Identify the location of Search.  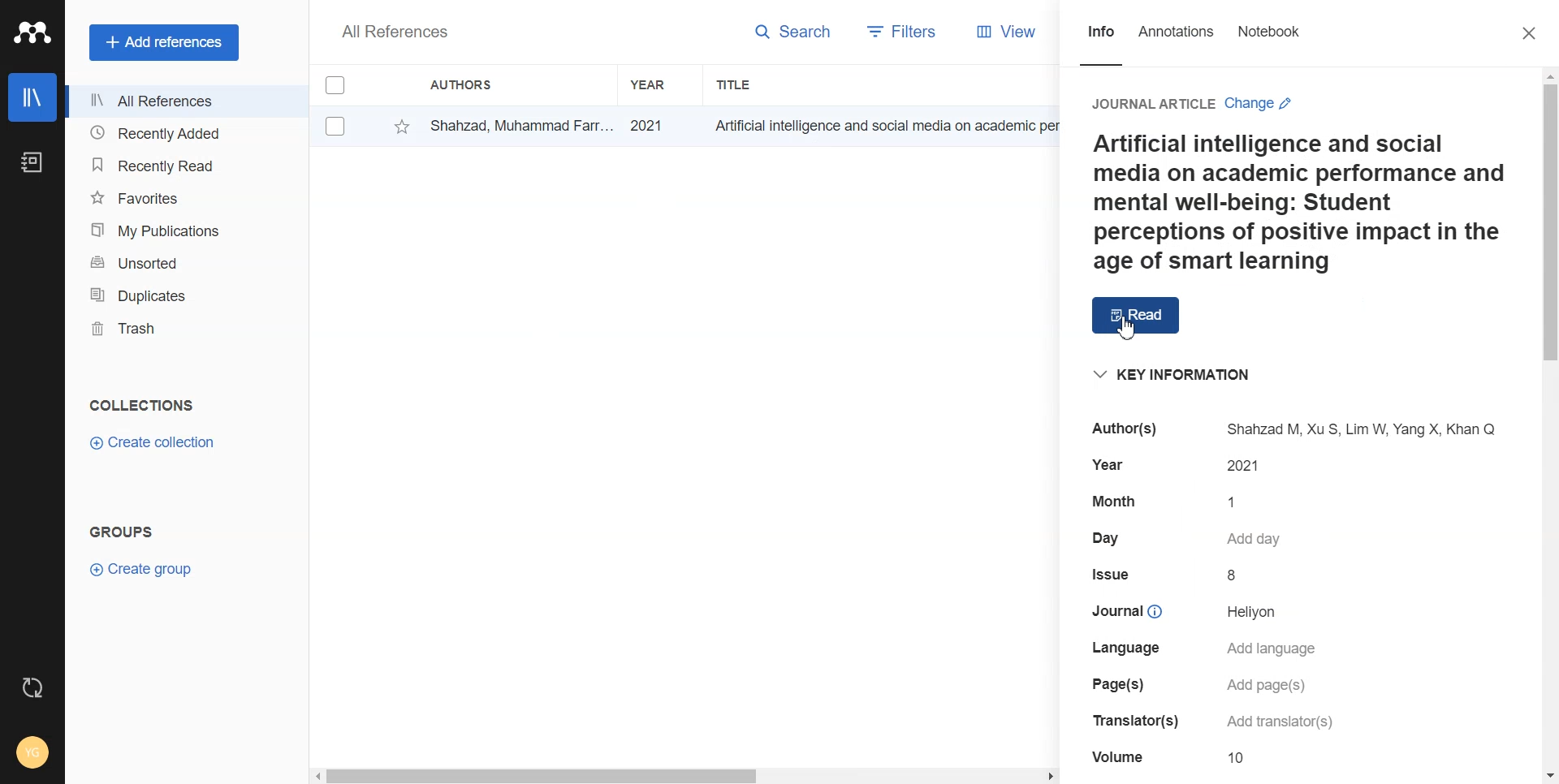
(801, 28).